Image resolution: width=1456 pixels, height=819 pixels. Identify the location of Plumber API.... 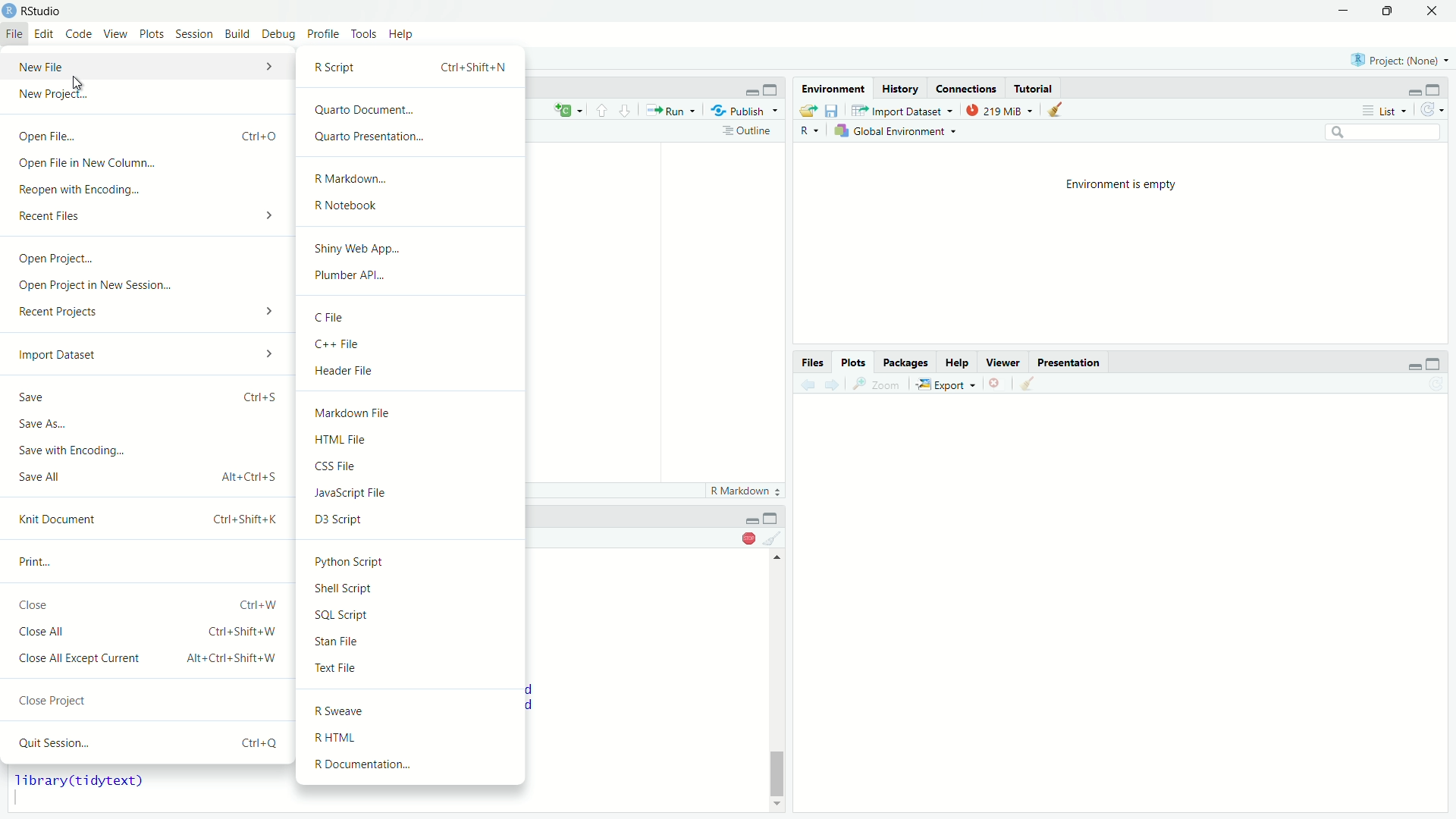
(412, 274).